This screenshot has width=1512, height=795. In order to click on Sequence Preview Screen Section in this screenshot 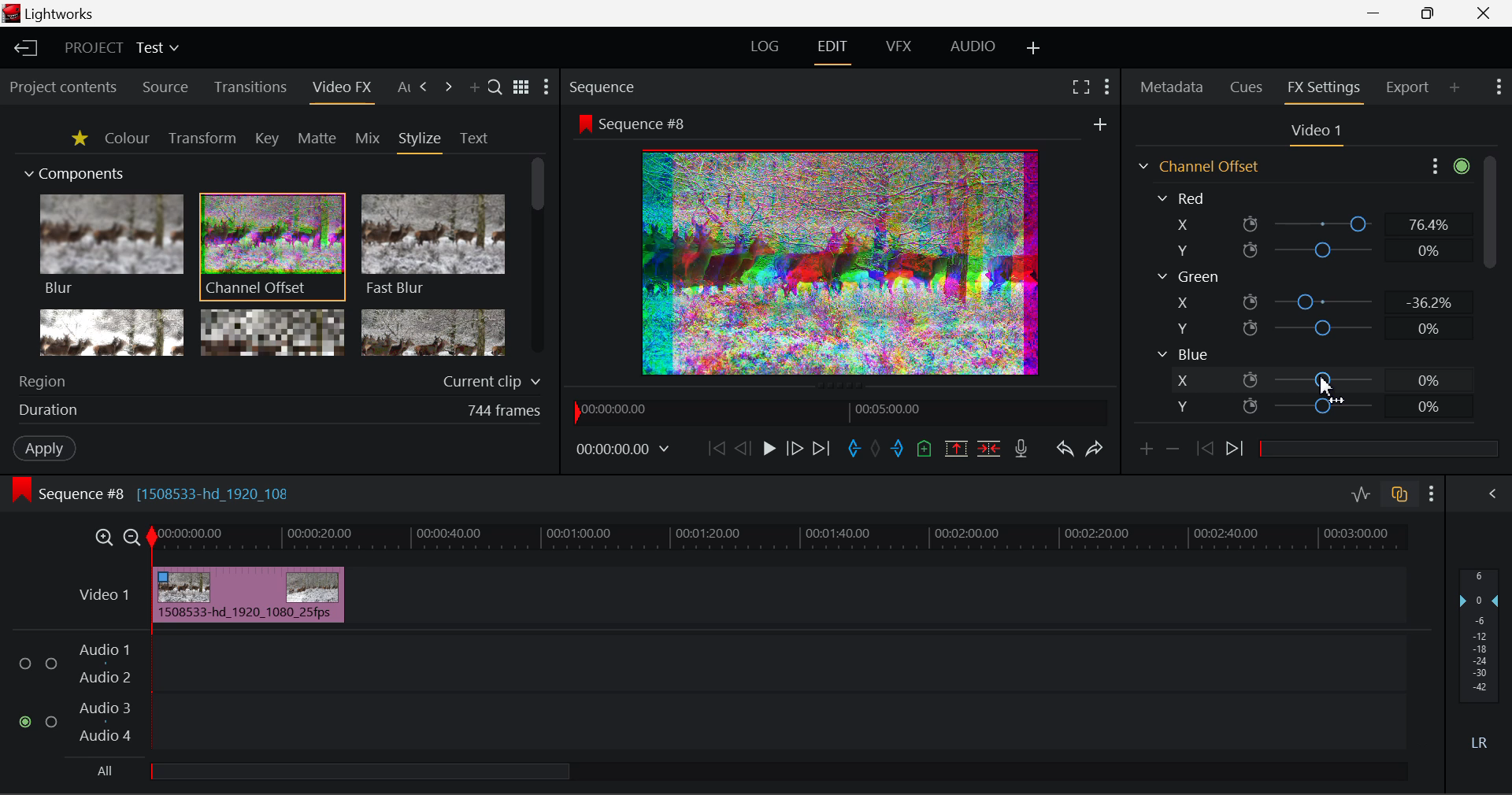, I will do `click(842, 122)`.